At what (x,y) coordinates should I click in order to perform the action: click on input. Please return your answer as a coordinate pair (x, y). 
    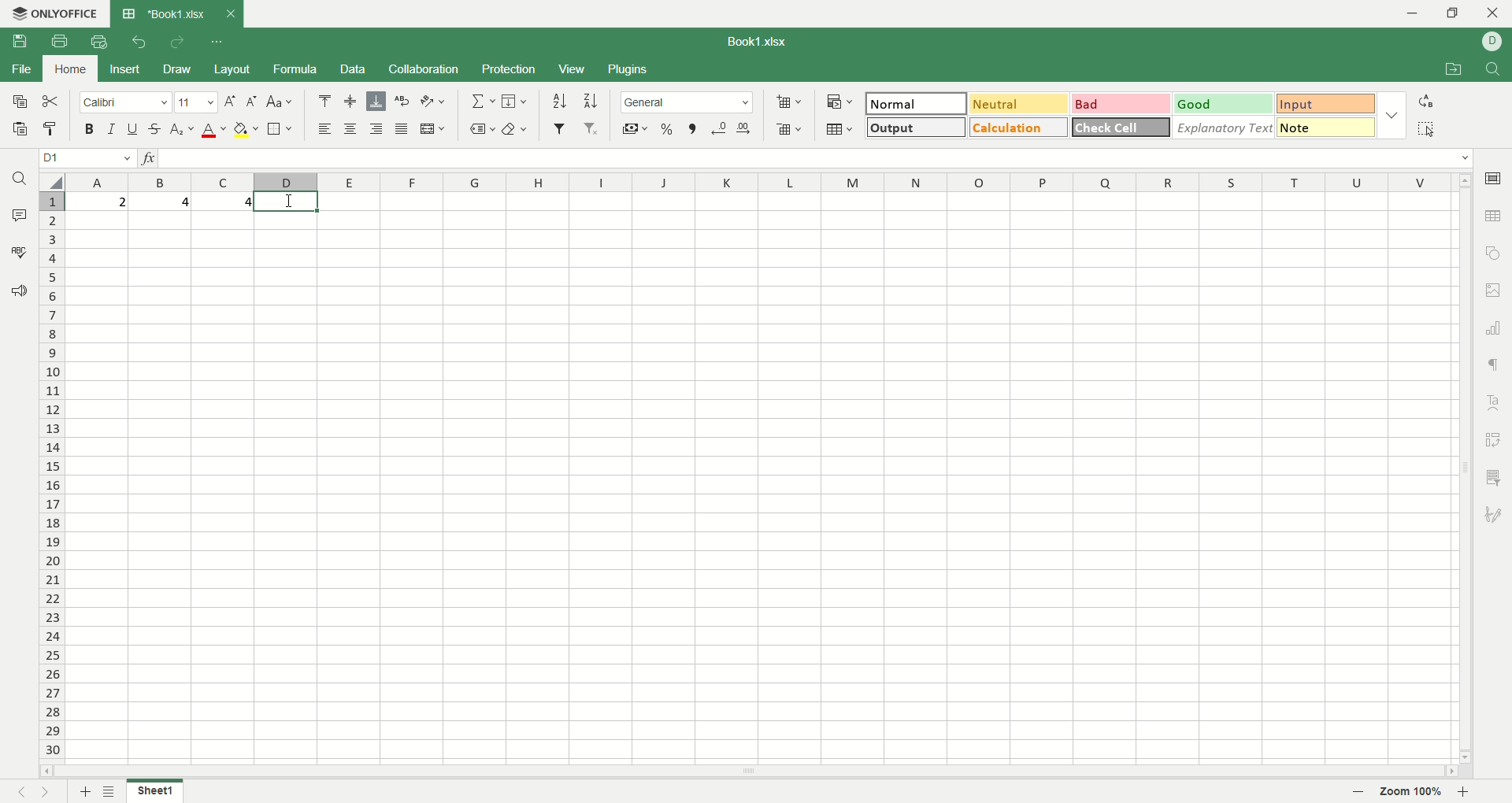
    Looking at the image, I should click on (1325, 102).